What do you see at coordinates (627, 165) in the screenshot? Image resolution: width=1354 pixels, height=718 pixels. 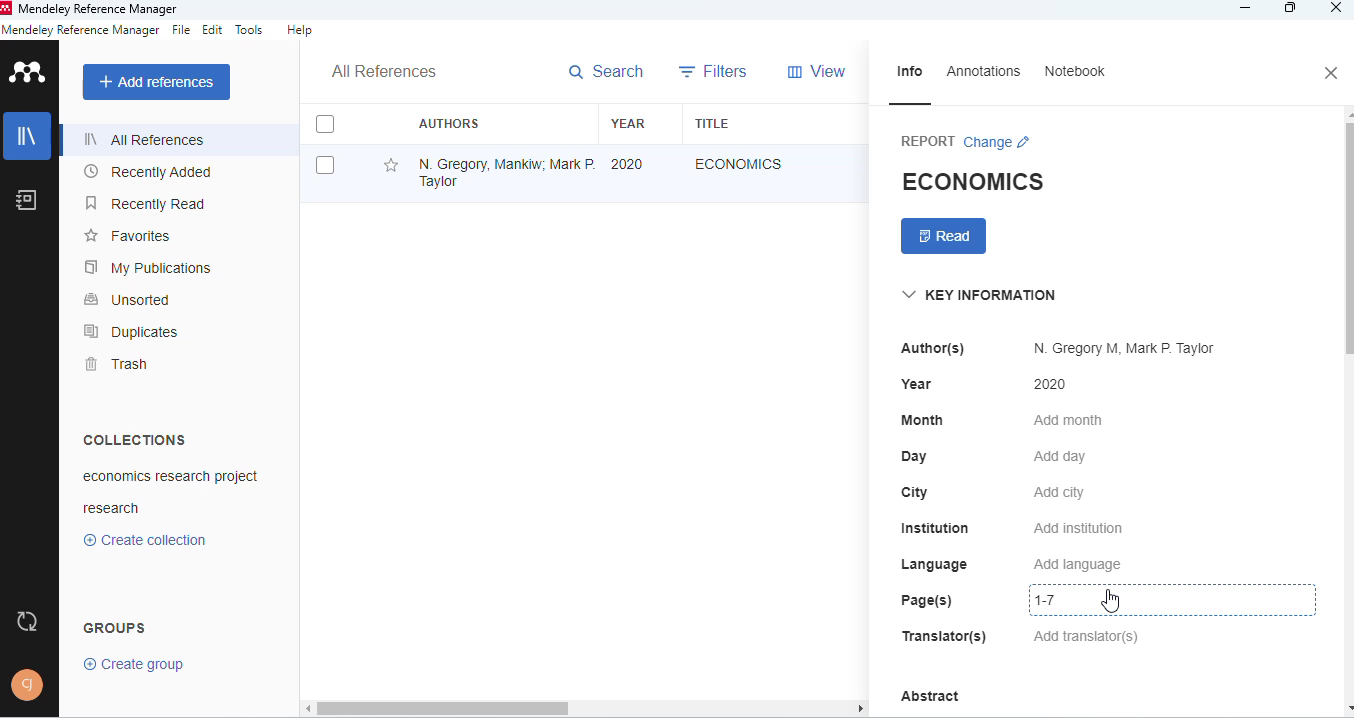 I see `2020` at bounding box center [627, 165].